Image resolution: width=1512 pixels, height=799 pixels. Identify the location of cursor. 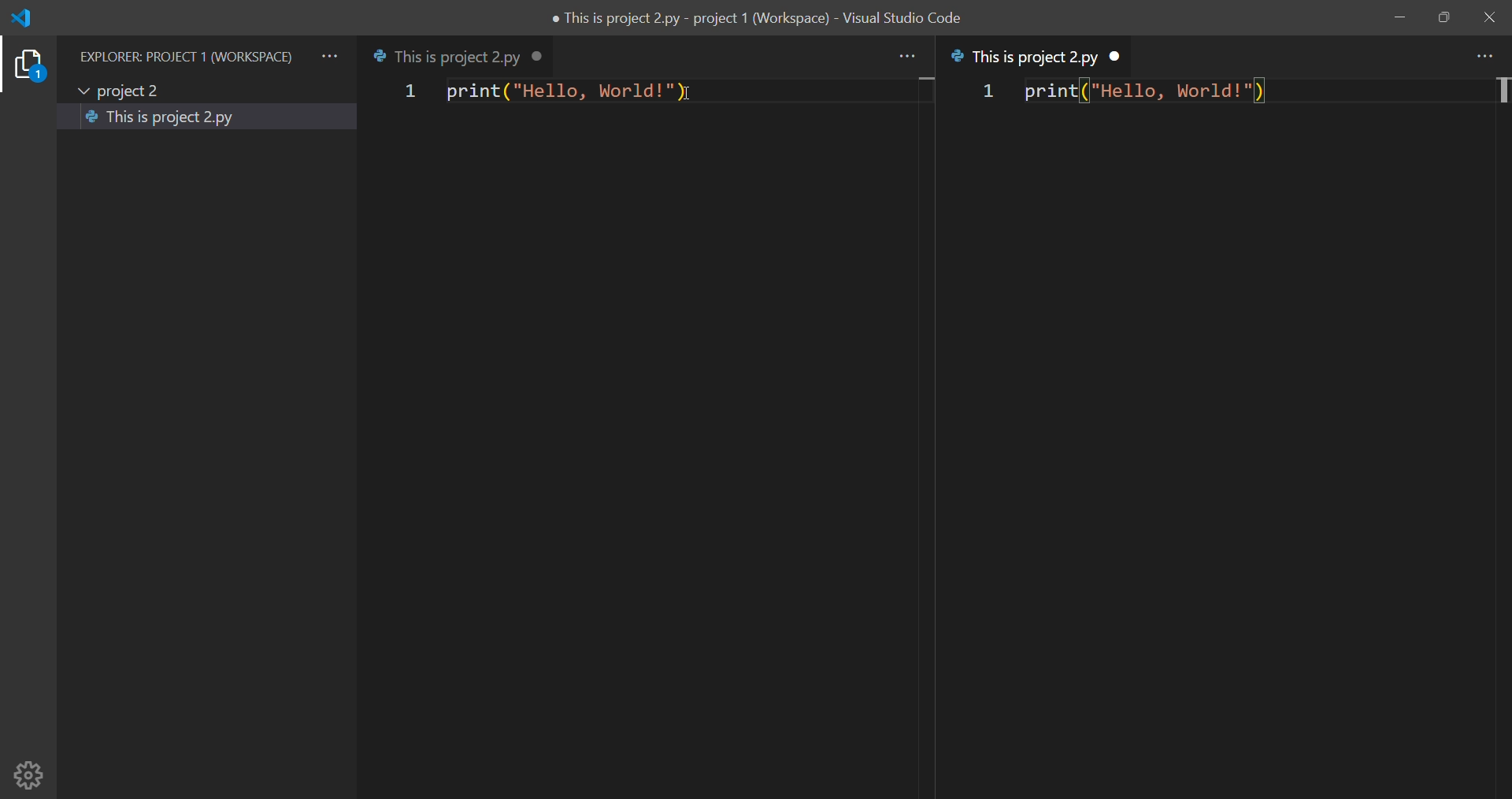
(692, 95).